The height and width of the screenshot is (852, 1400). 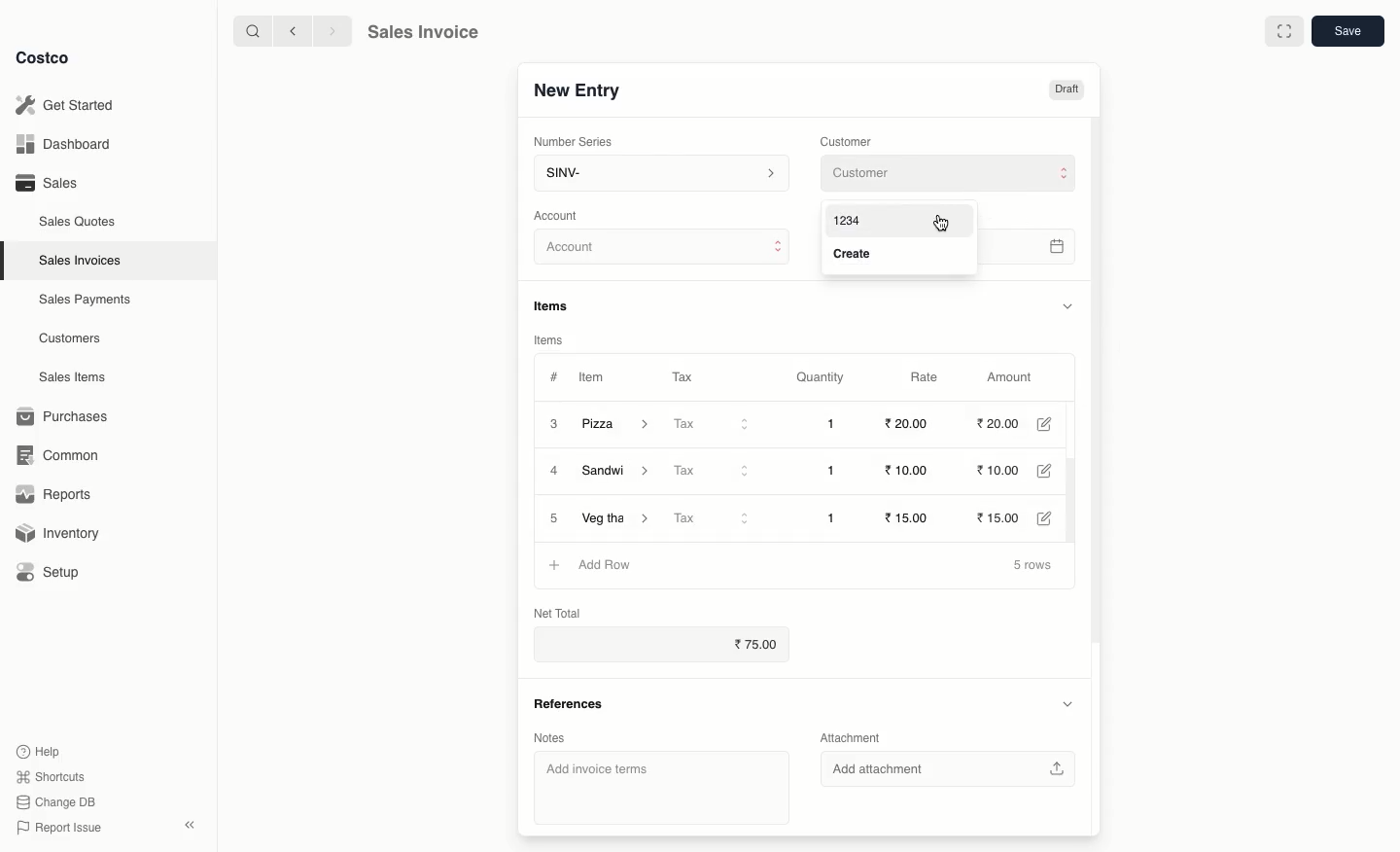 I want to click on Reports, so click(x=54, y=496).